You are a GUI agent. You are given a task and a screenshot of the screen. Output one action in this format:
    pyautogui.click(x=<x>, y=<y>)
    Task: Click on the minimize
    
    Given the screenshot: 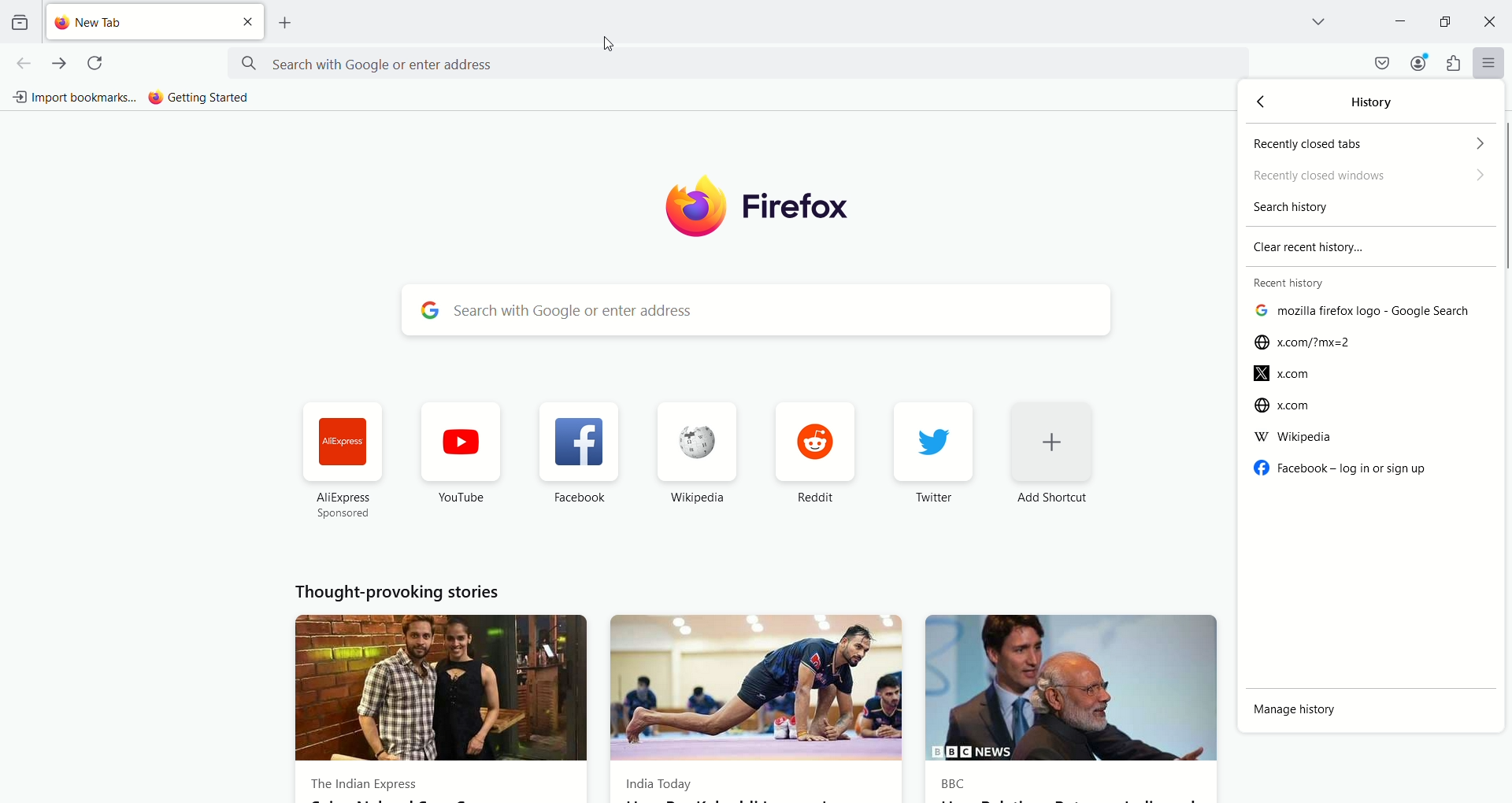 What is the action you would take?
    pyautogui.click(x=1398, y=20)
    